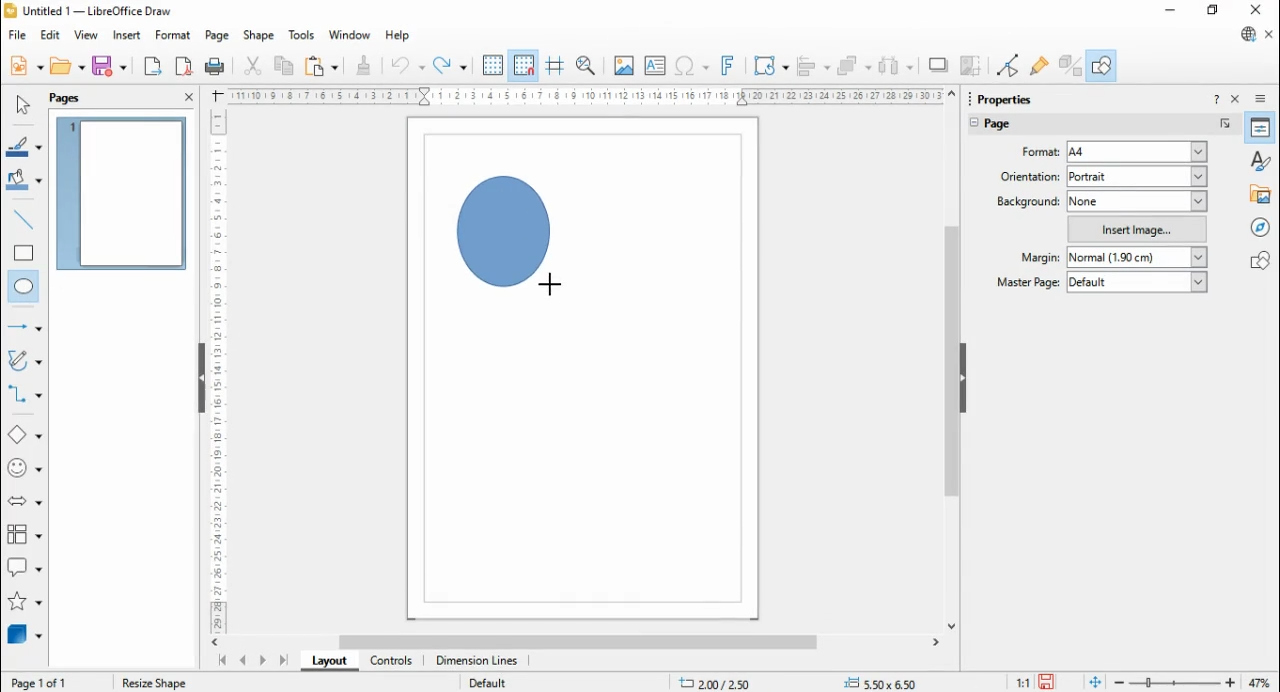  What do you see at coordinates (252, 65) in the screenshot?
I see `cut` at bounding box center [252, 65].